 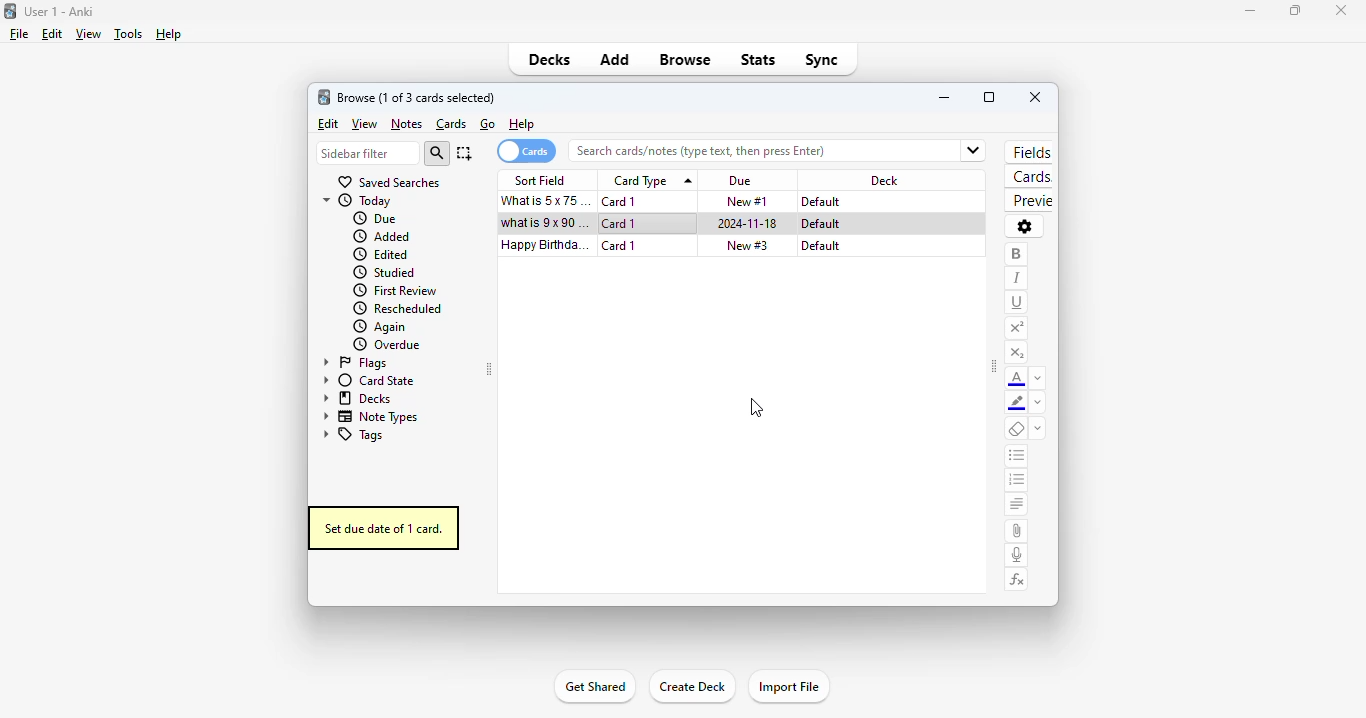 I want to click on file, so click(x=19, y=34).